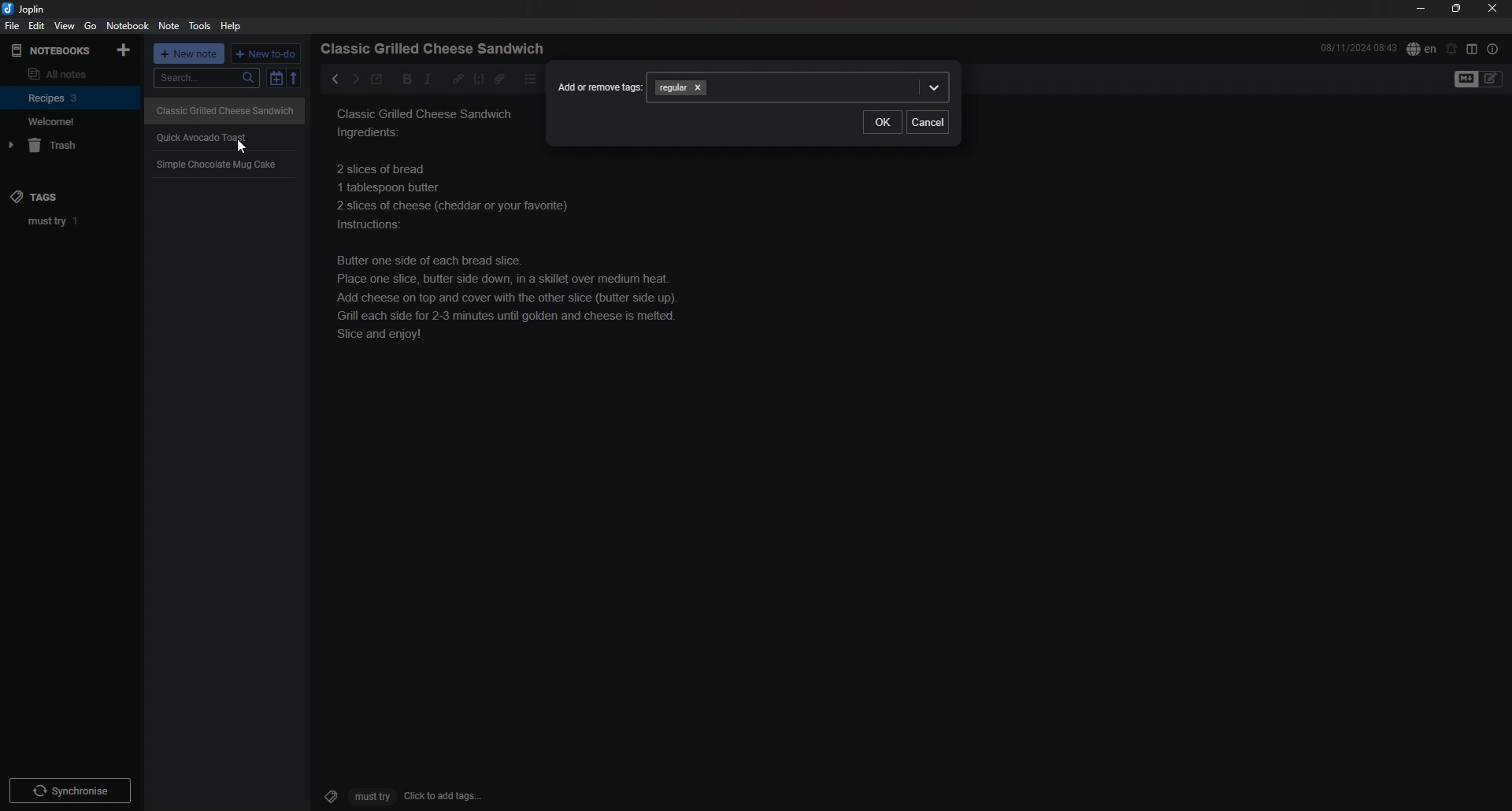  I want to click on toggle sort order, so click(276, 80).